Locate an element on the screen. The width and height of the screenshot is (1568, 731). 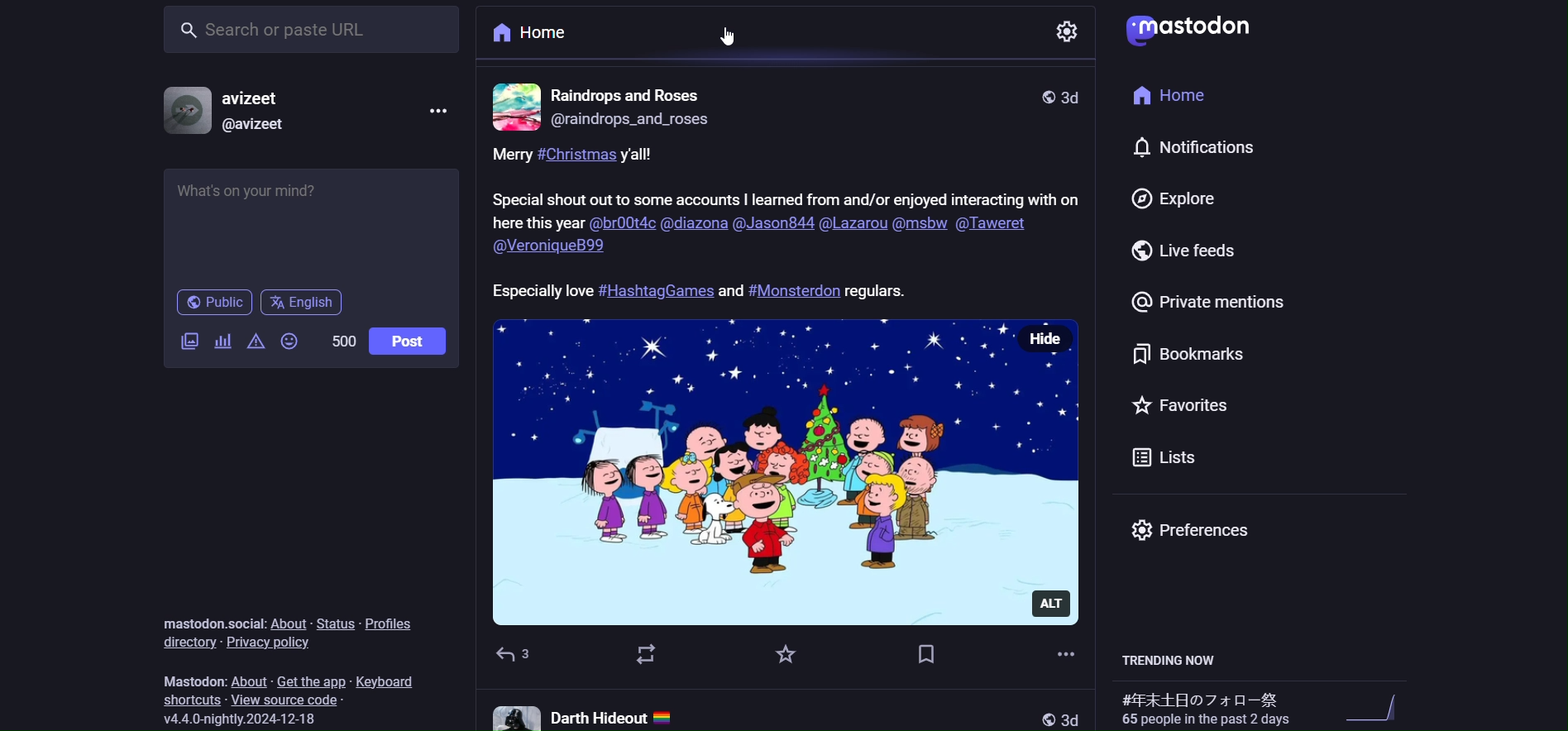
cursor is located at coordinates (734, 38).